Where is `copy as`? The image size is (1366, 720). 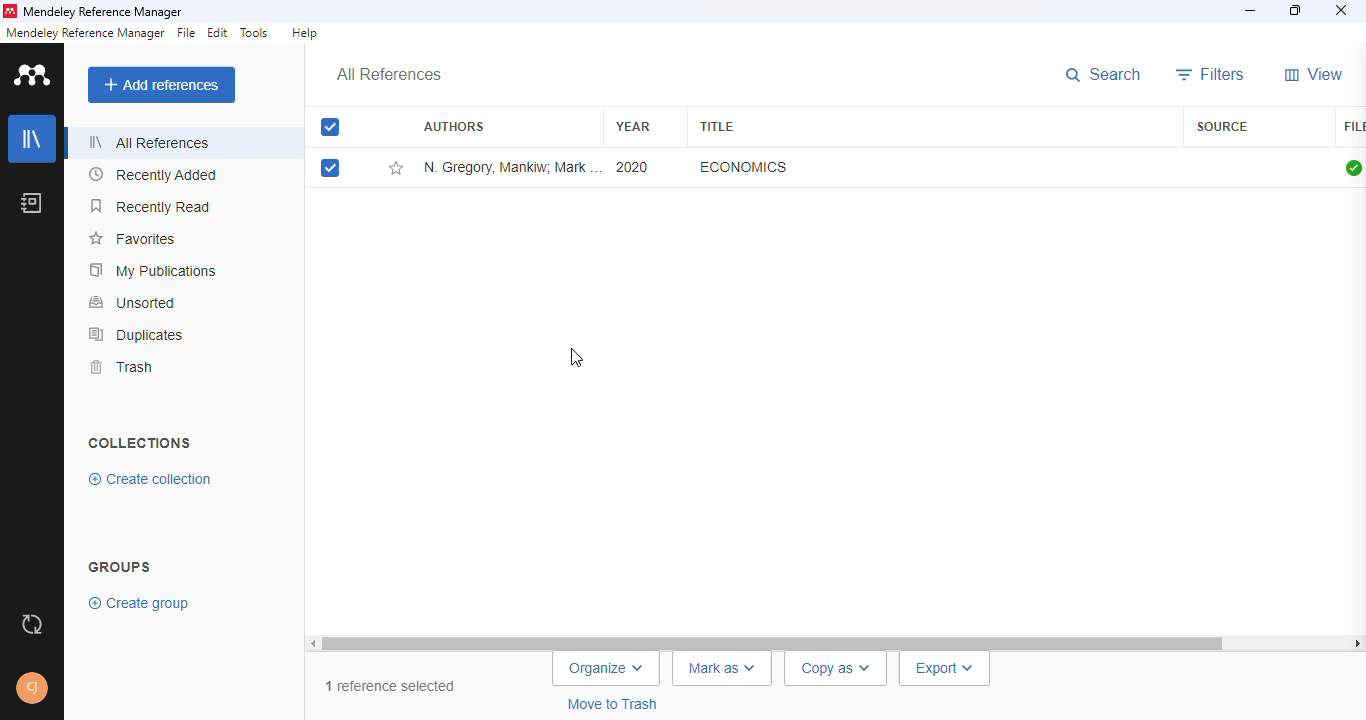
copy as is located at coordinates (835, 669).